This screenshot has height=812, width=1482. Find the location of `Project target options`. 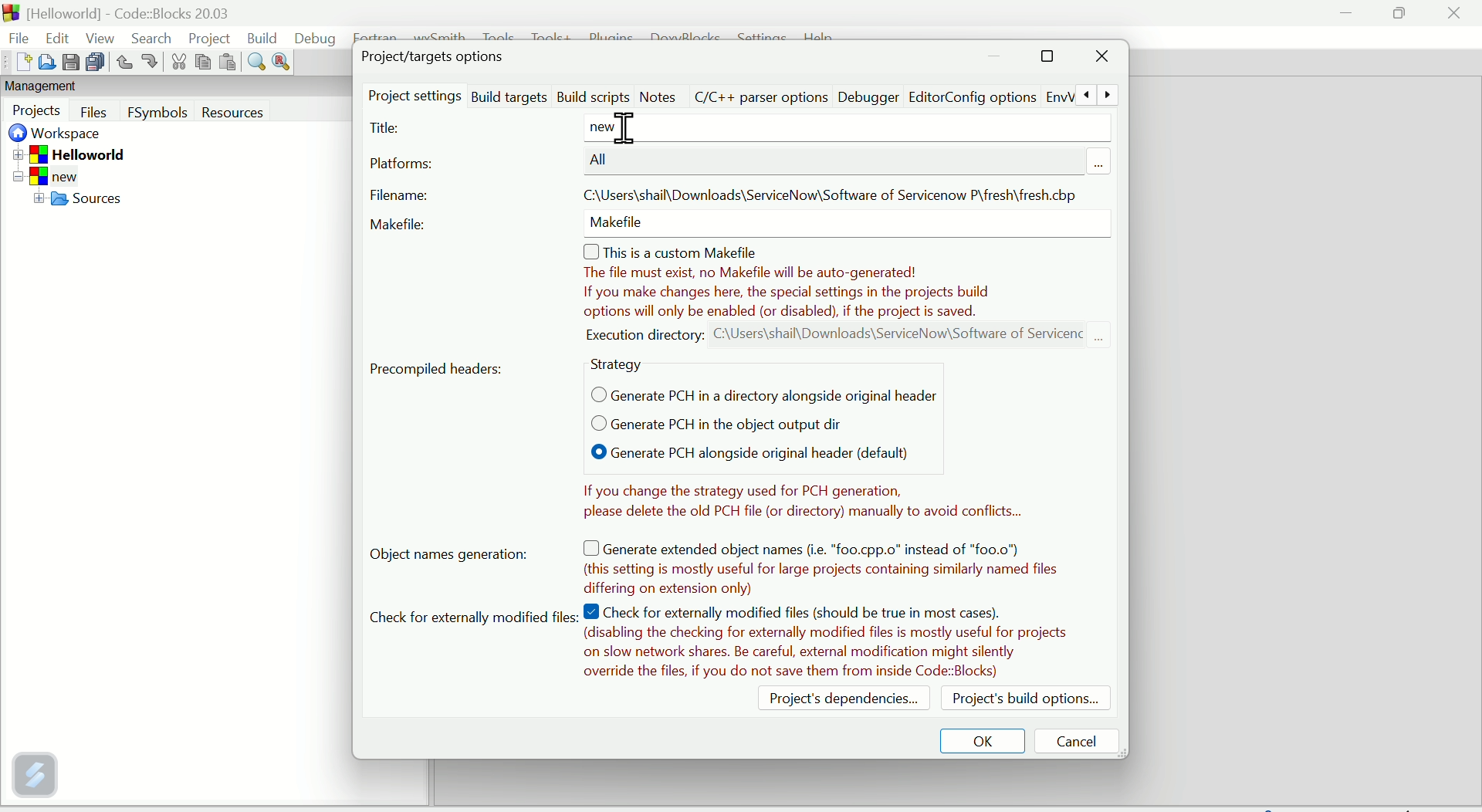

Project target options is located at coordinates (436, 56).